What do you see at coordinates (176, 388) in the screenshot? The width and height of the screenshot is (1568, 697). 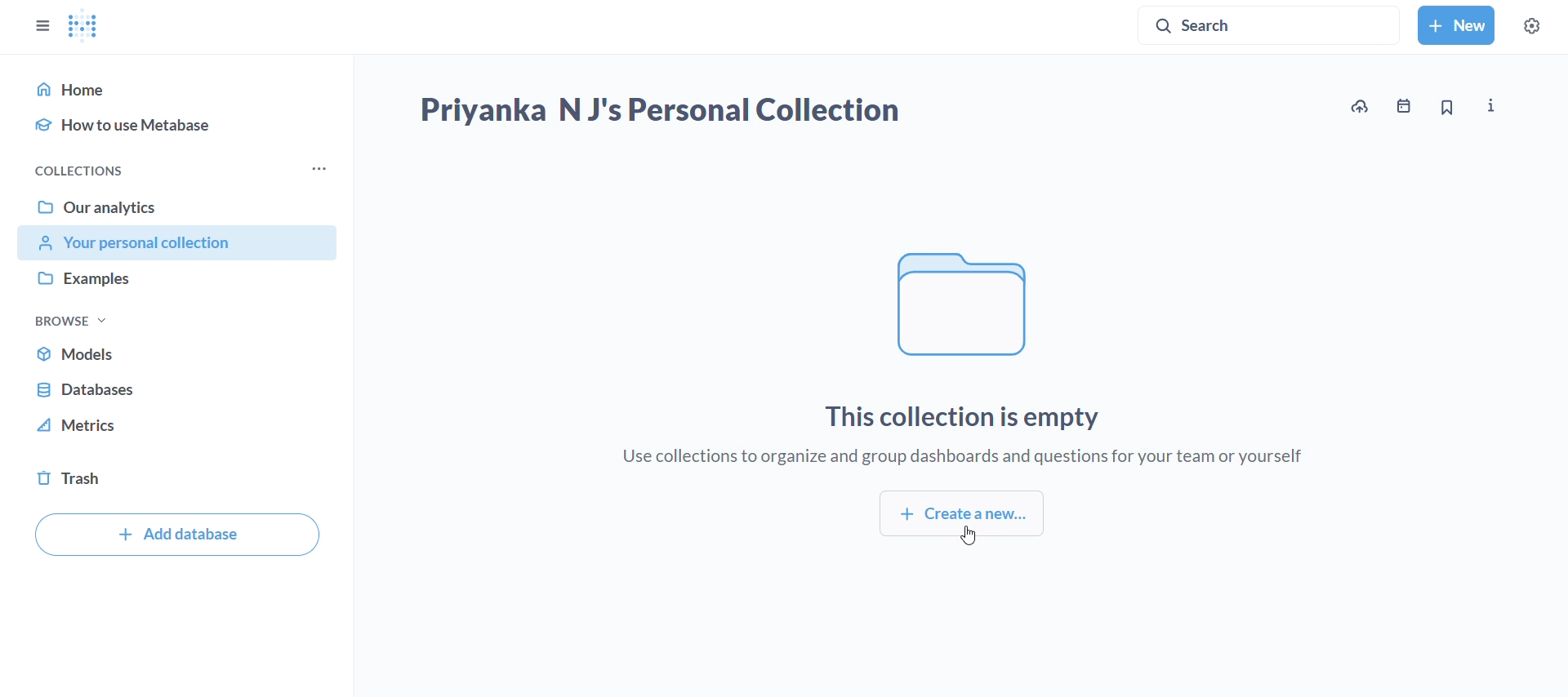 I see `database` at bounding box center [176, 388].